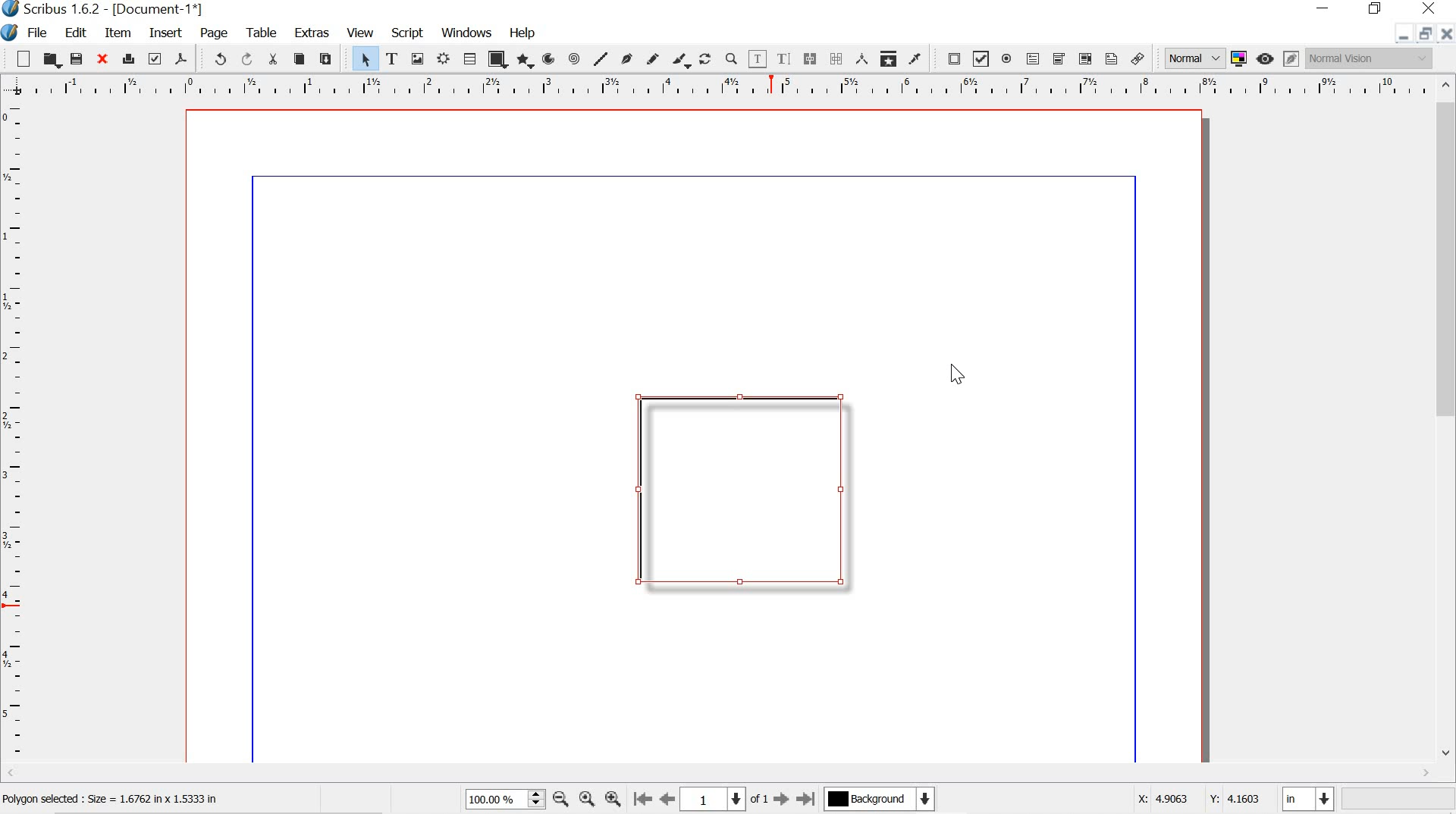 This screenshot has width=1456, height=814. Describe the element at coordinates (915, 59) in the screenshot. I see `eye dropper` at that location.